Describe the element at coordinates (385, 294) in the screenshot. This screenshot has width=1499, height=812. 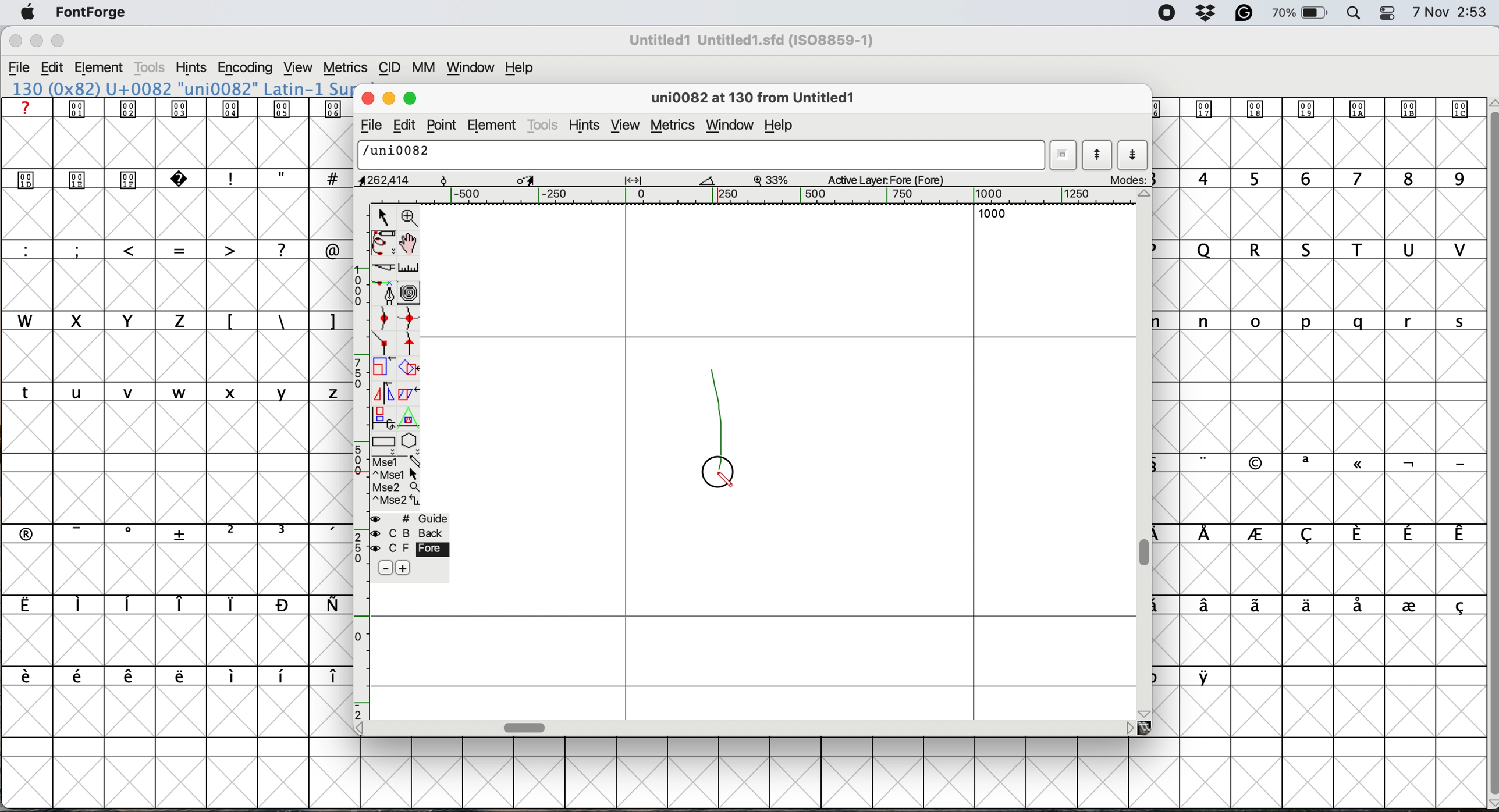
I see `add a point then drag out its control points` at that location.